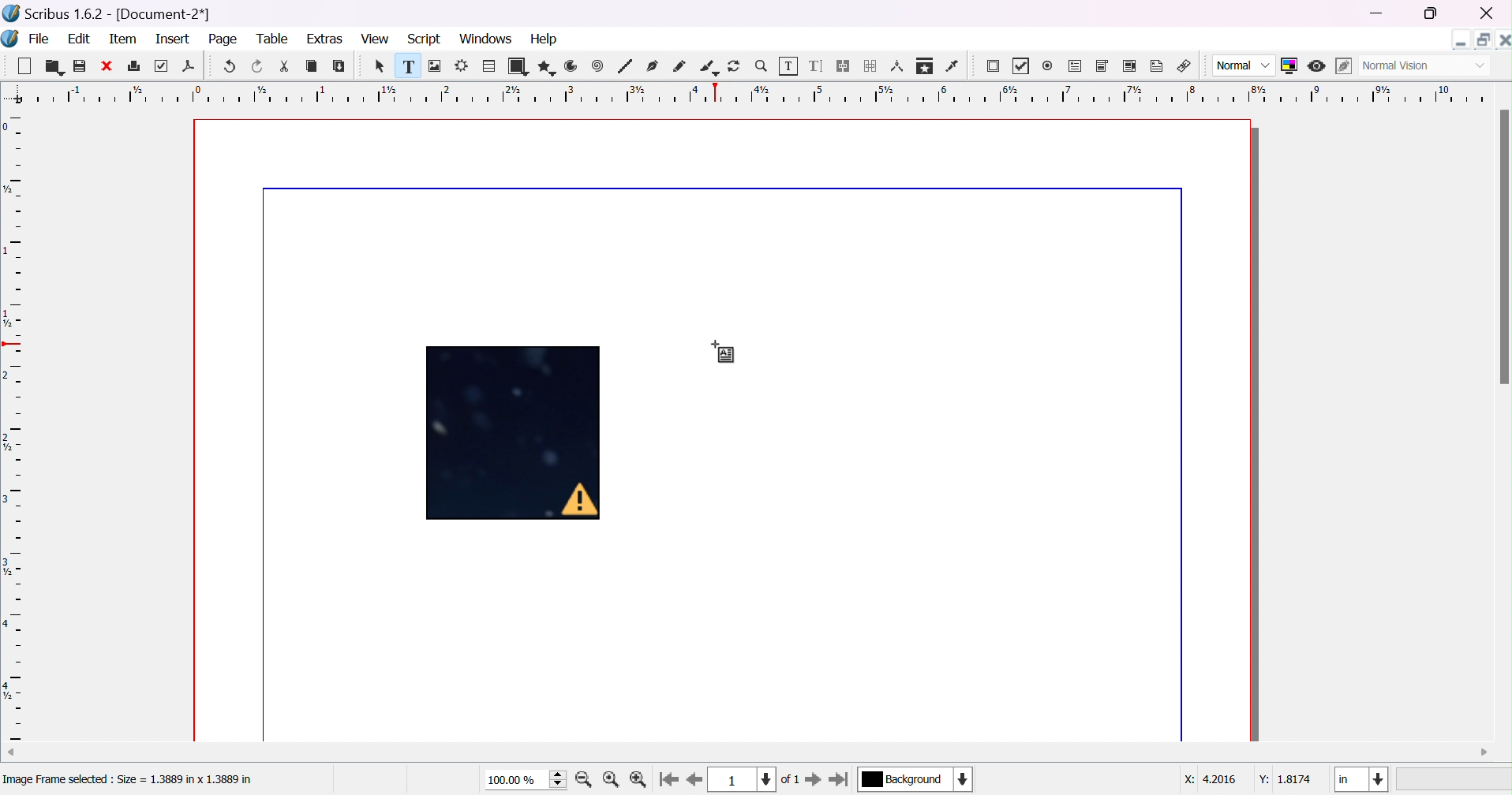  Describe the element at coordinates (425, 39) in the screenshot. I see `script` at that location.